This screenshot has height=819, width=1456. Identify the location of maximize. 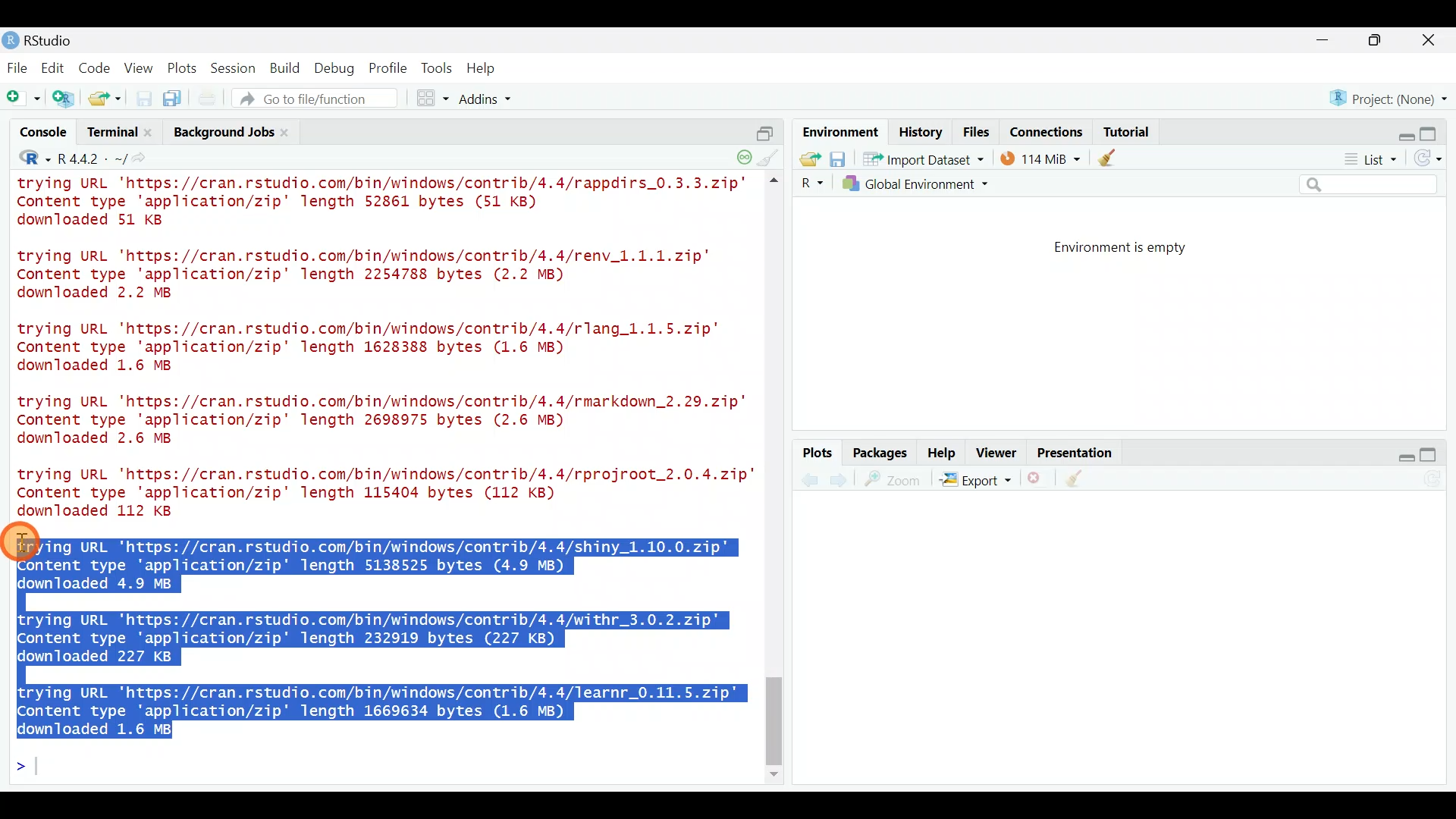
(1379, 39).